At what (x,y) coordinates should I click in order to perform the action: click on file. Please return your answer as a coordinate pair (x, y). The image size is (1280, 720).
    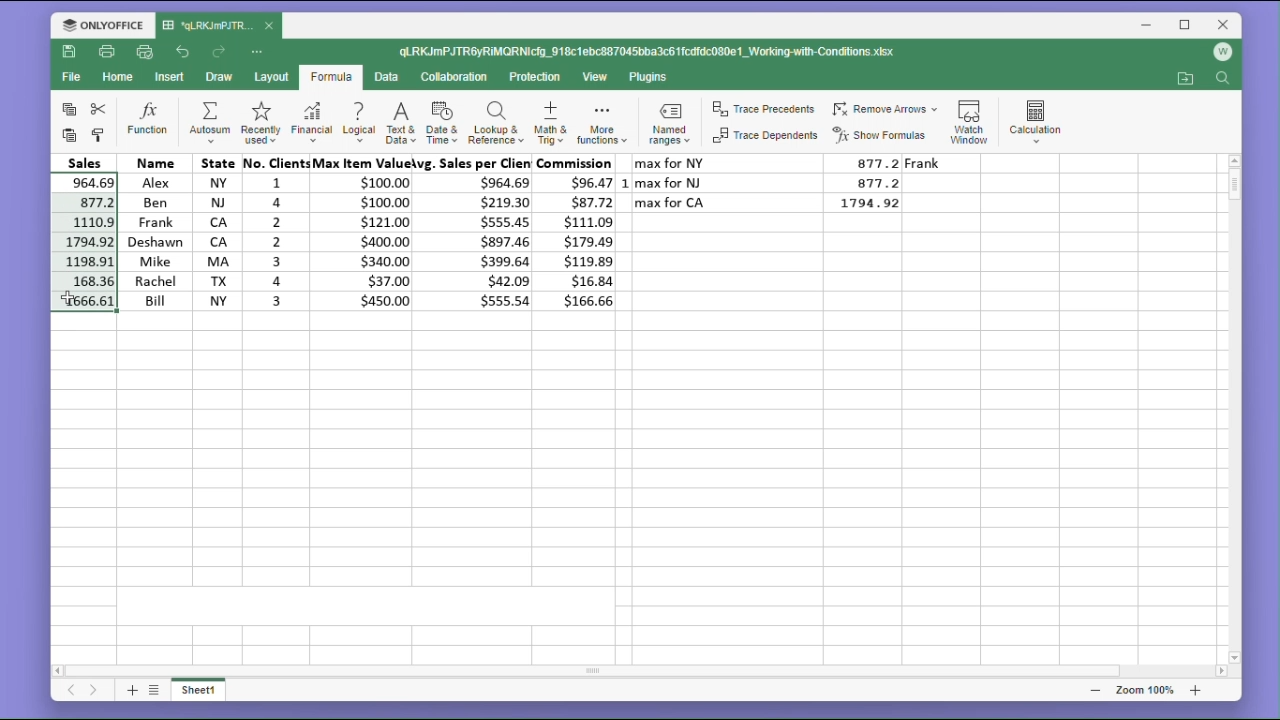
    Looking at the image, I should click on (71, 80).